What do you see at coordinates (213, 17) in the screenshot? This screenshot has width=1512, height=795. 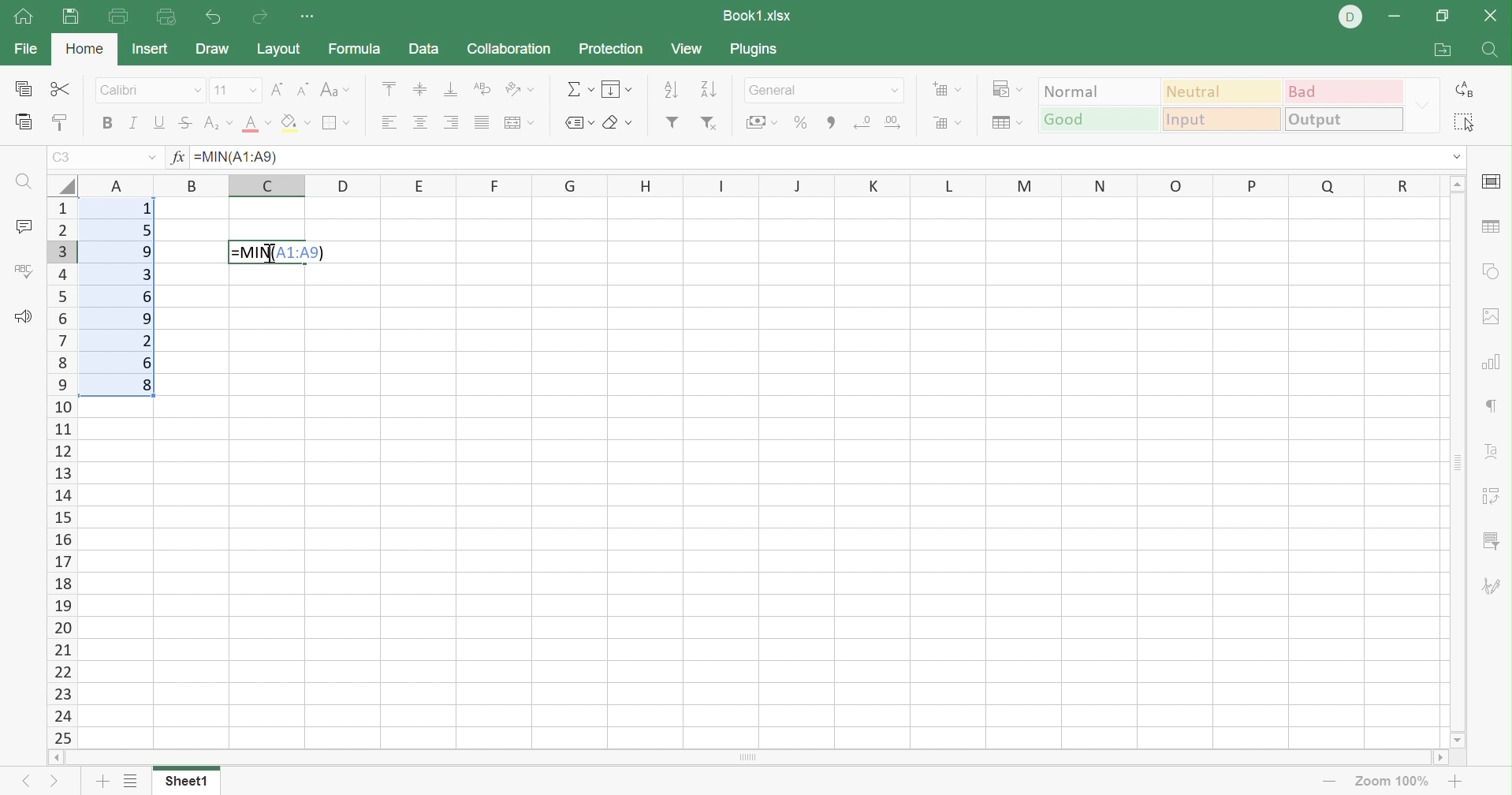 I see `Undo` at bounding box center [213, 17].